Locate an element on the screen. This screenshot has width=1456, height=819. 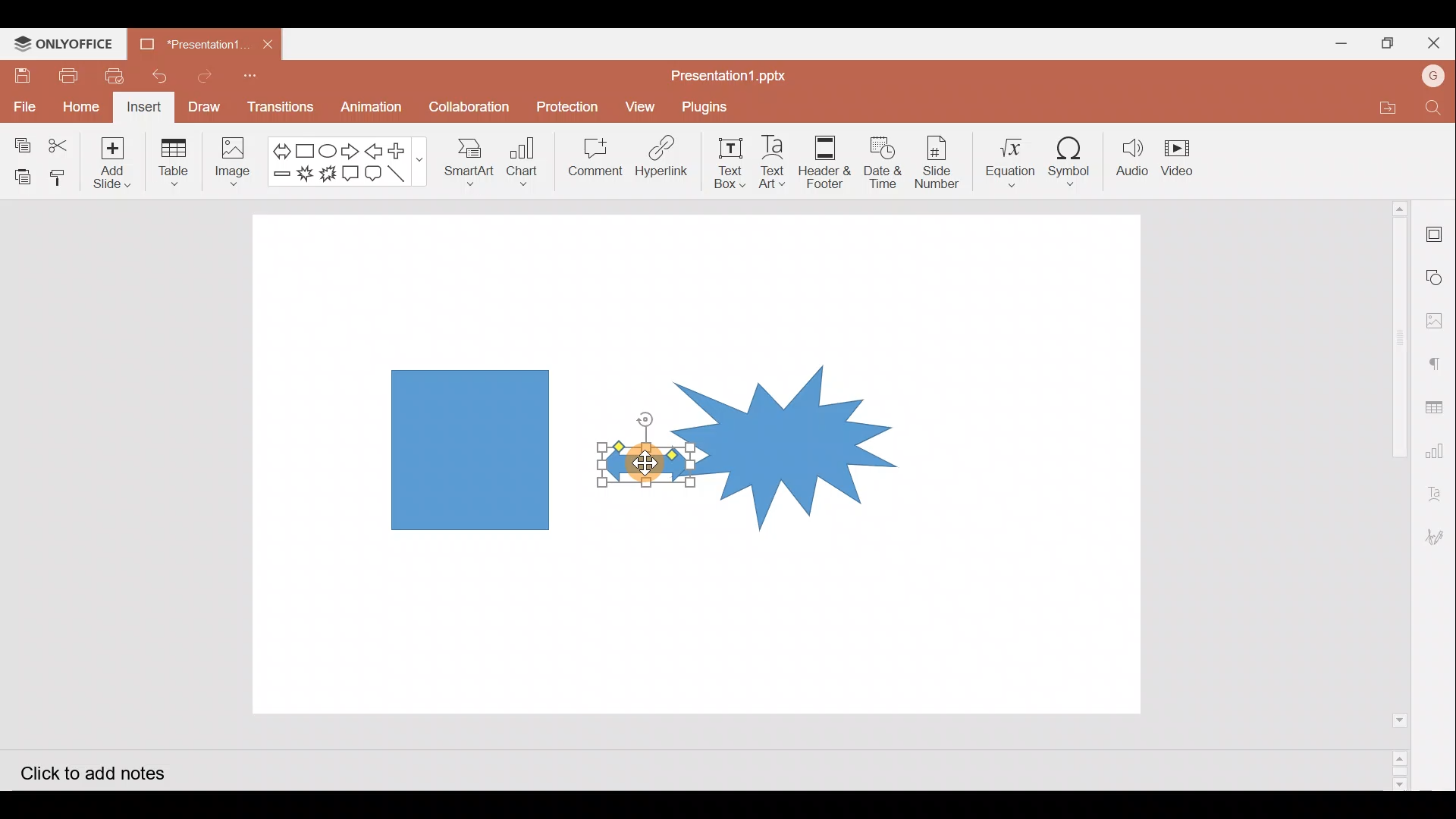
Animation is located at coordinates (372, 108).